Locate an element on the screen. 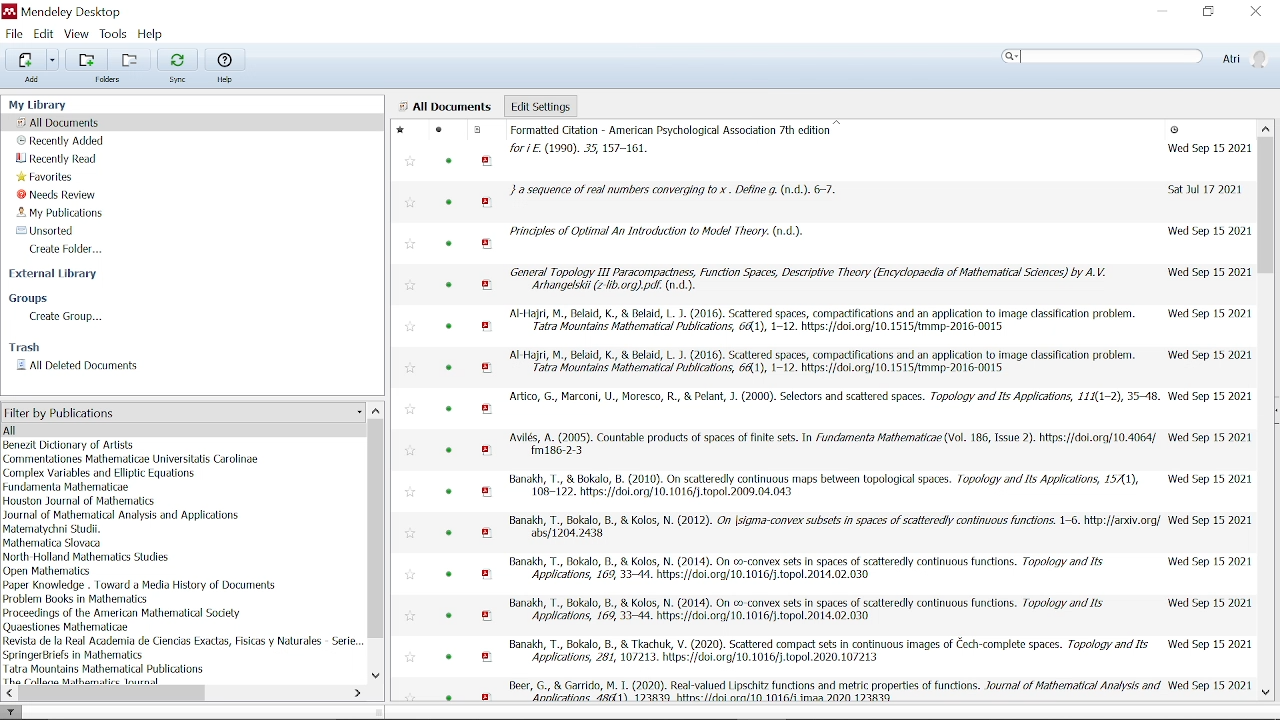 Image resolution: width=1280 pixels, height=720 pixels. favourite is located at coordinates (403, 132).